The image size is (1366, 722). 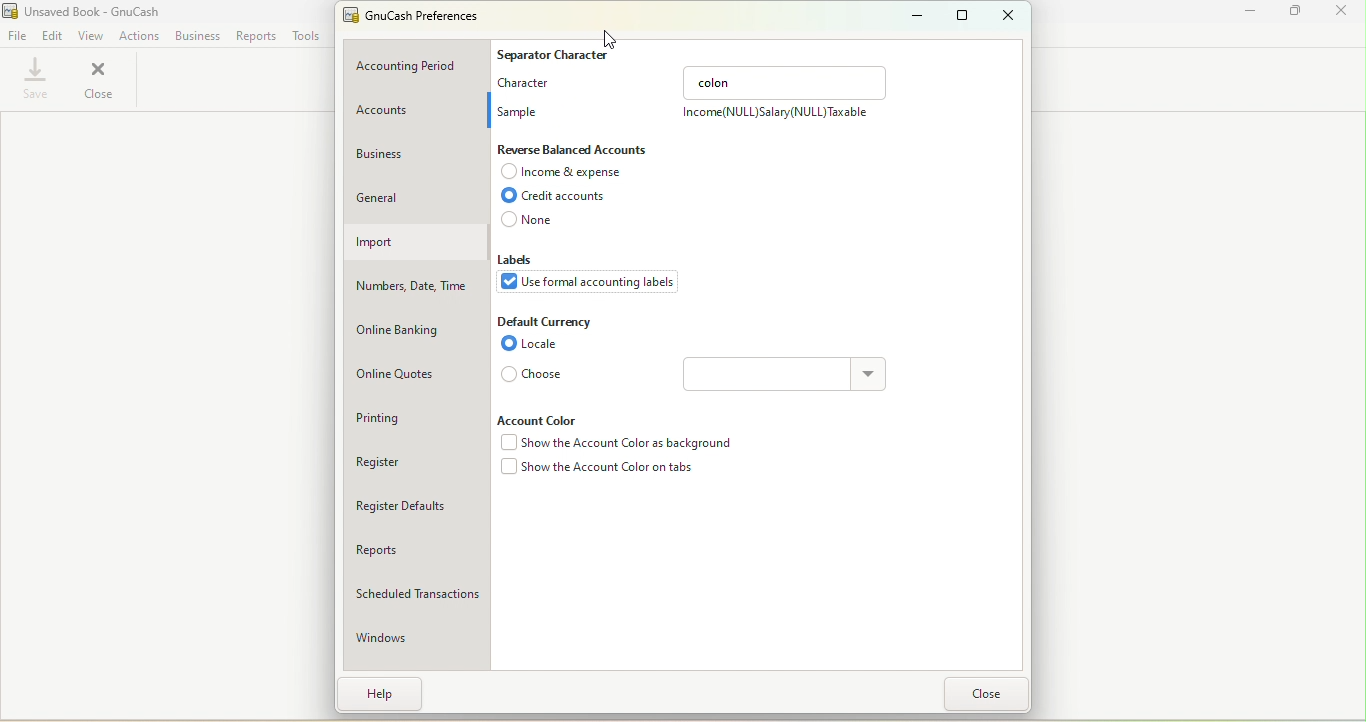 I want to click on Income (NULL) Salary (NULL) Taxable, so click(x=774, y=116).